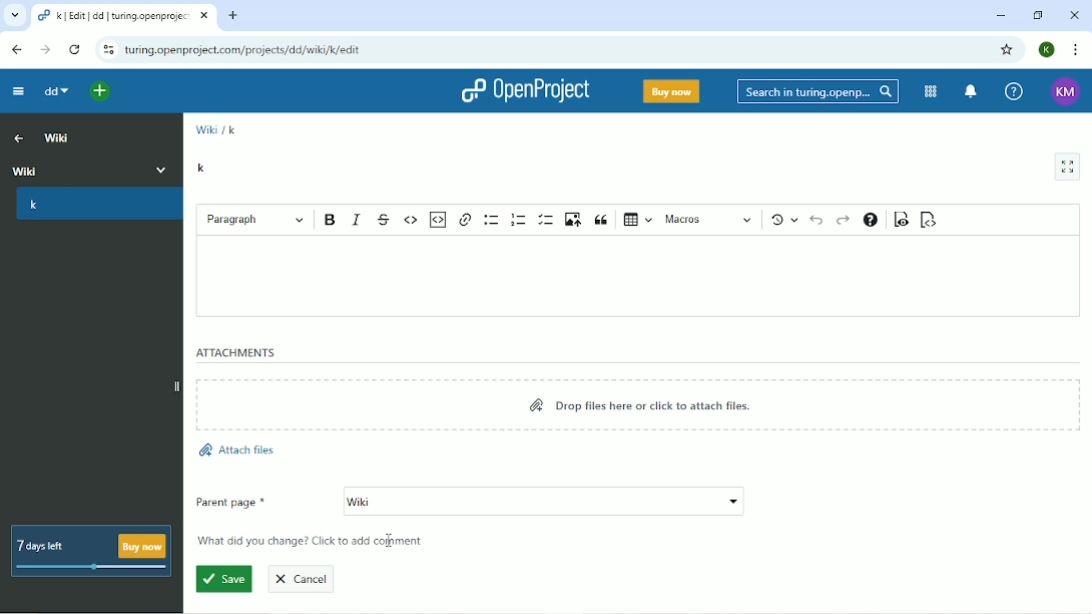 This screenshot has height=614, width=1092. What do you see at coordinates (94, 550) in the screenshot?
I see `7 days left ` at bounding box center [94, 550].